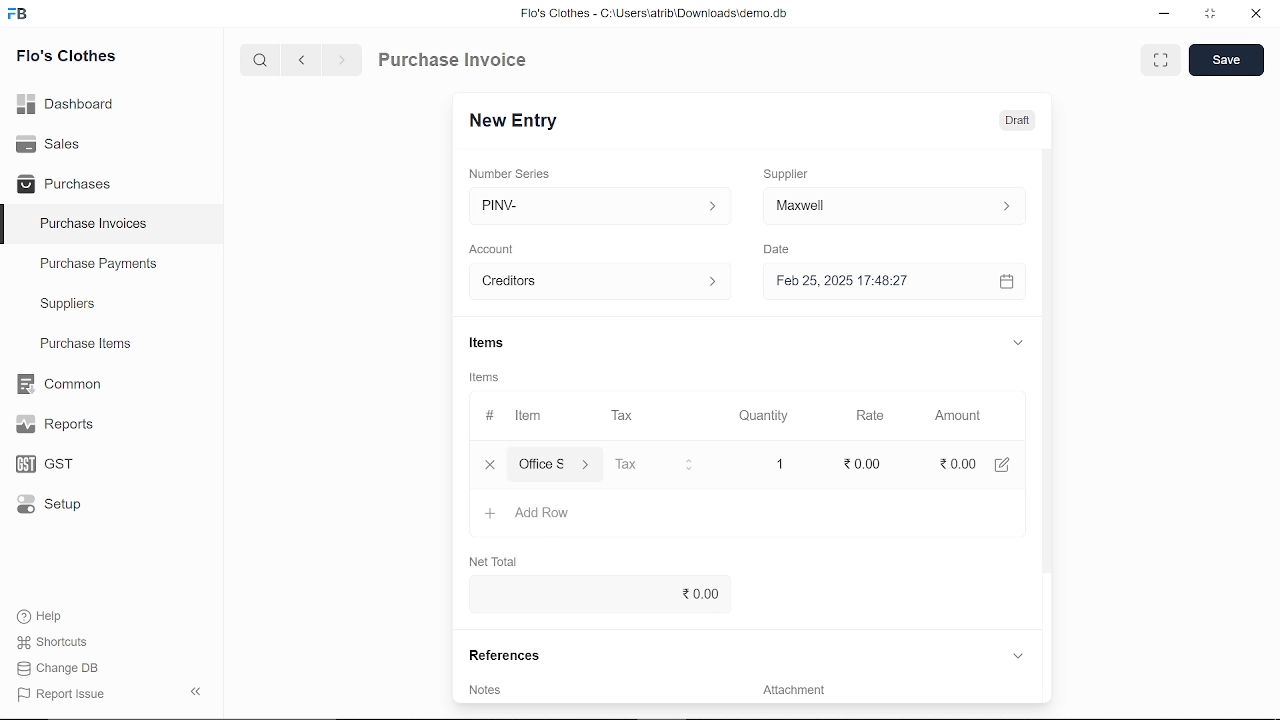 Image resolution: width=1280 pixels, height=720 pixels. What do you see at coordinates (48, 142) in the screenshot?
I see `Sales` at bounding box center [48, 142].